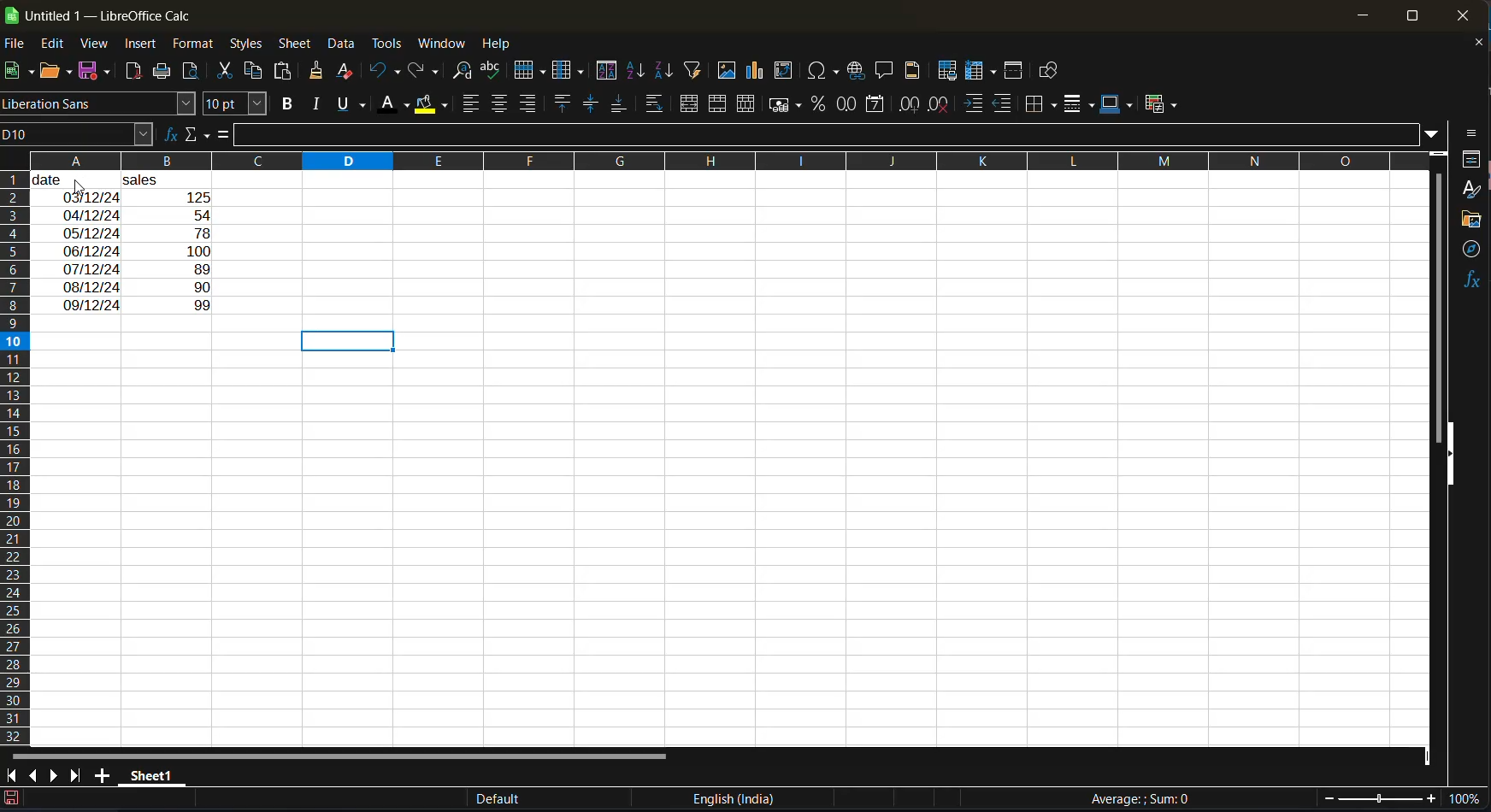 This screenshot has width=1491, height=812. I want to click on print, so click(163, 72).